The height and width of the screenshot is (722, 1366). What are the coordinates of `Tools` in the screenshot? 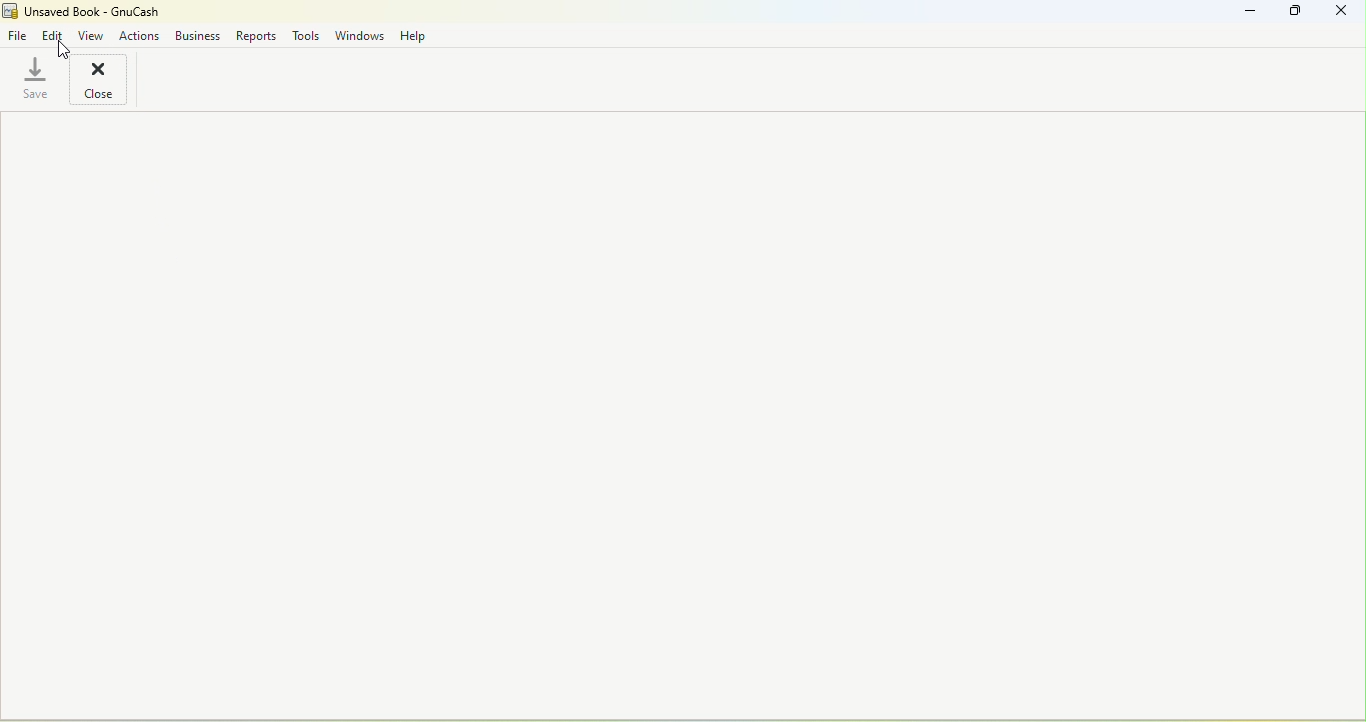 It's located at (306, 34).